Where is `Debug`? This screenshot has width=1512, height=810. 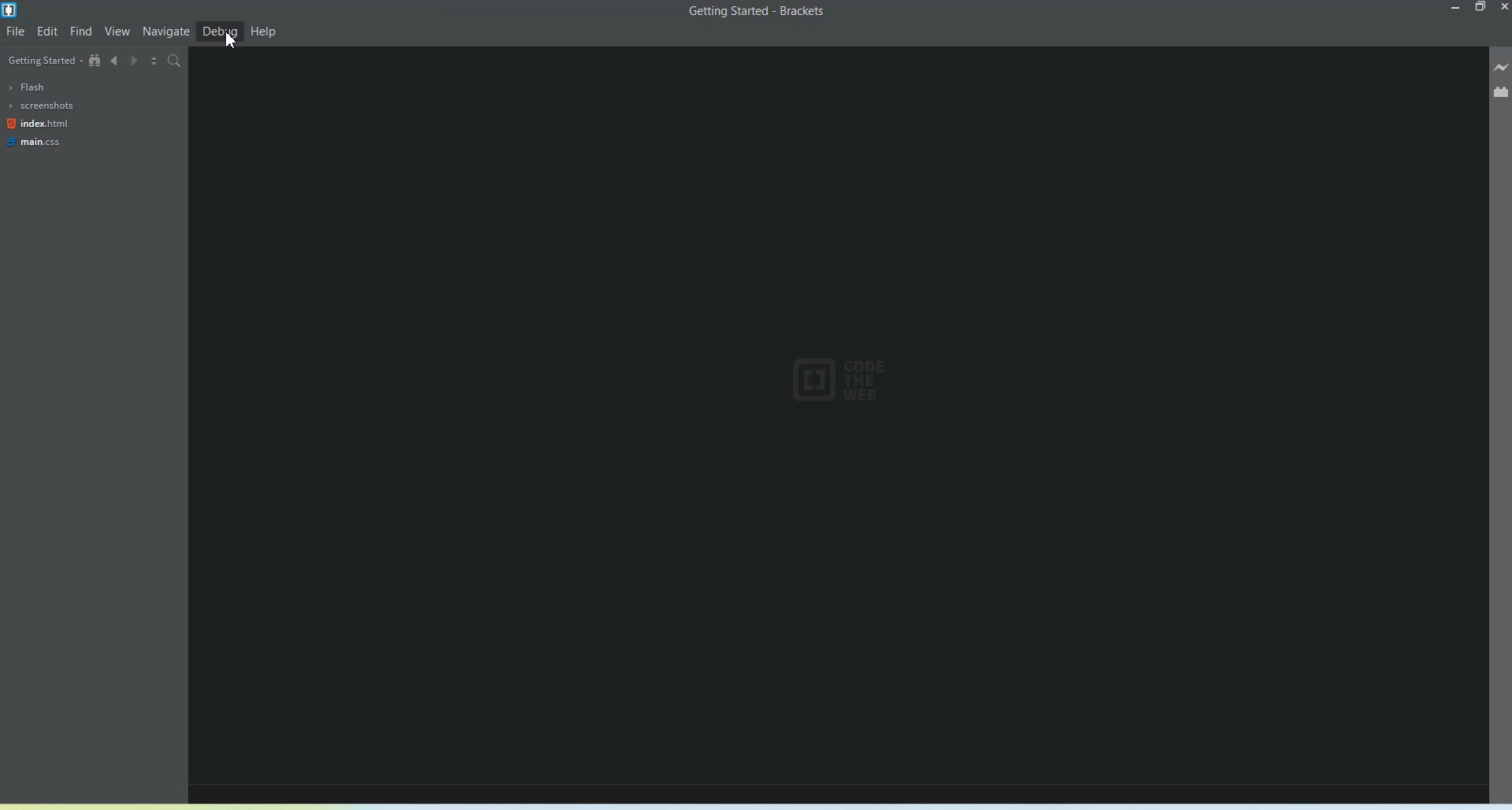 Debug is located at coordinates (220, 32).